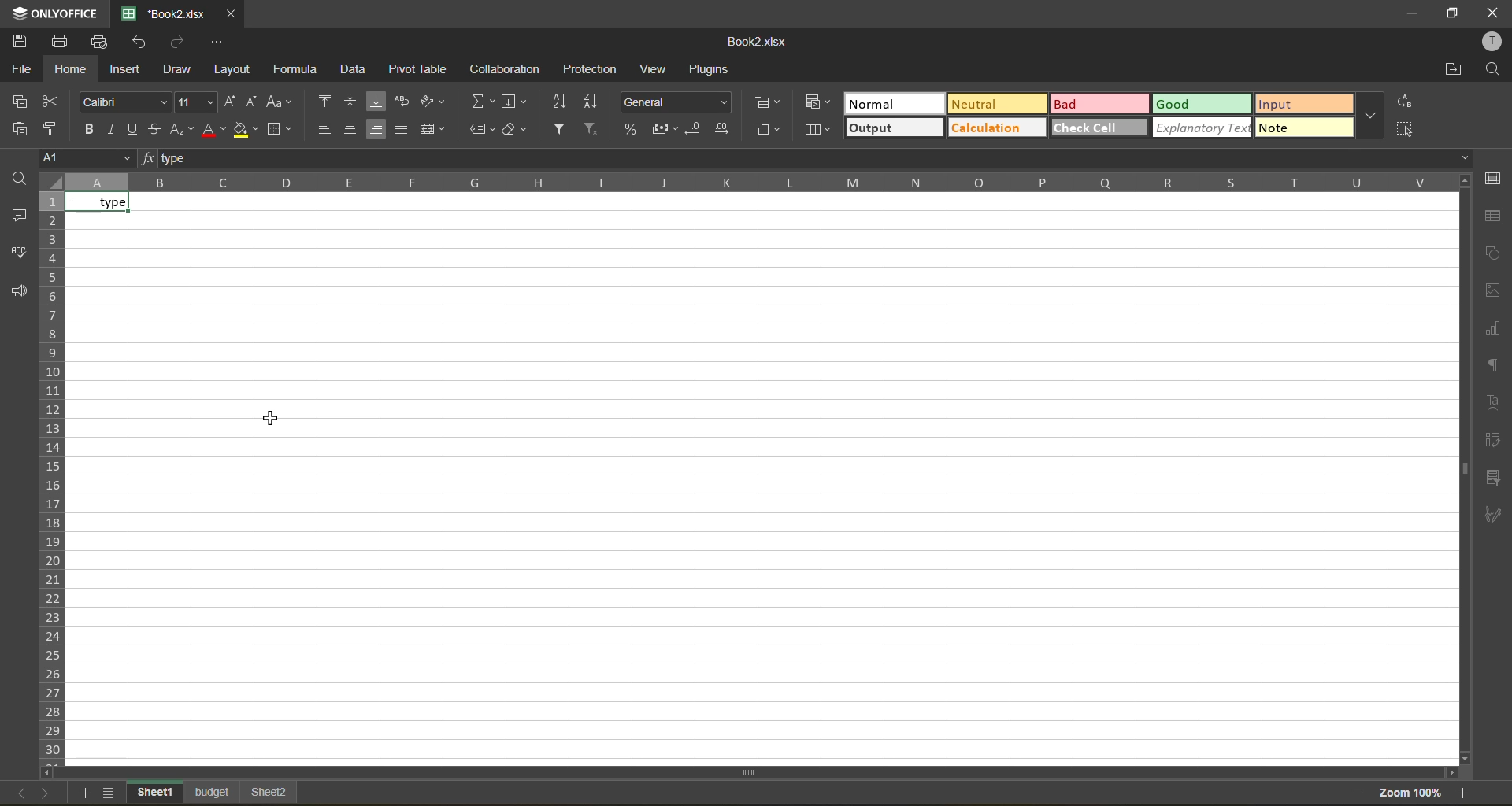  What do you see at coordinates (326, 130) in the screenshot?
I see `align left` at bounding box center [326, 130].